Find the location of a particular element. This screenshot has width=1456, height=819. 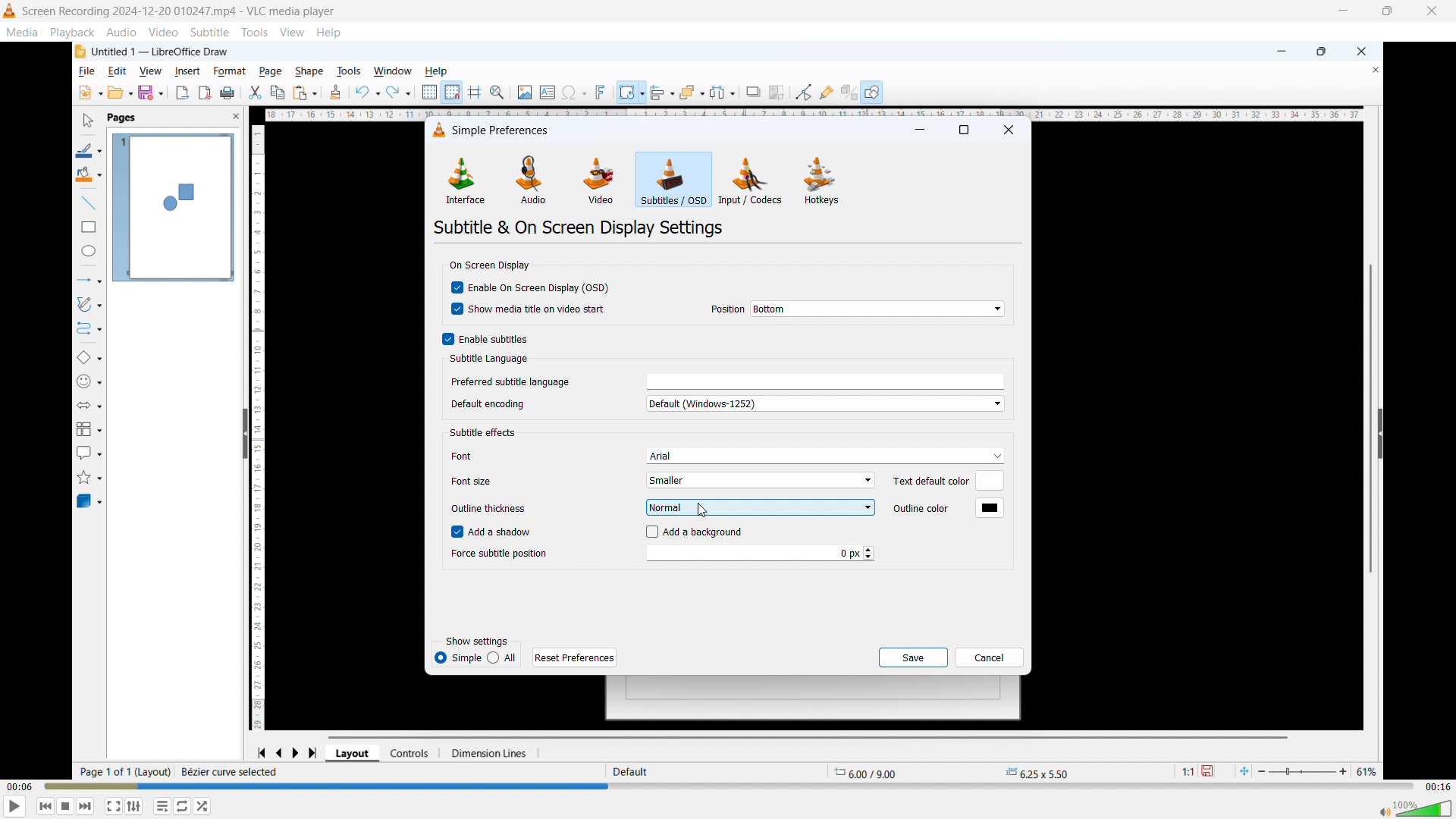

Hot keys  is located at coordinates (821, 180).